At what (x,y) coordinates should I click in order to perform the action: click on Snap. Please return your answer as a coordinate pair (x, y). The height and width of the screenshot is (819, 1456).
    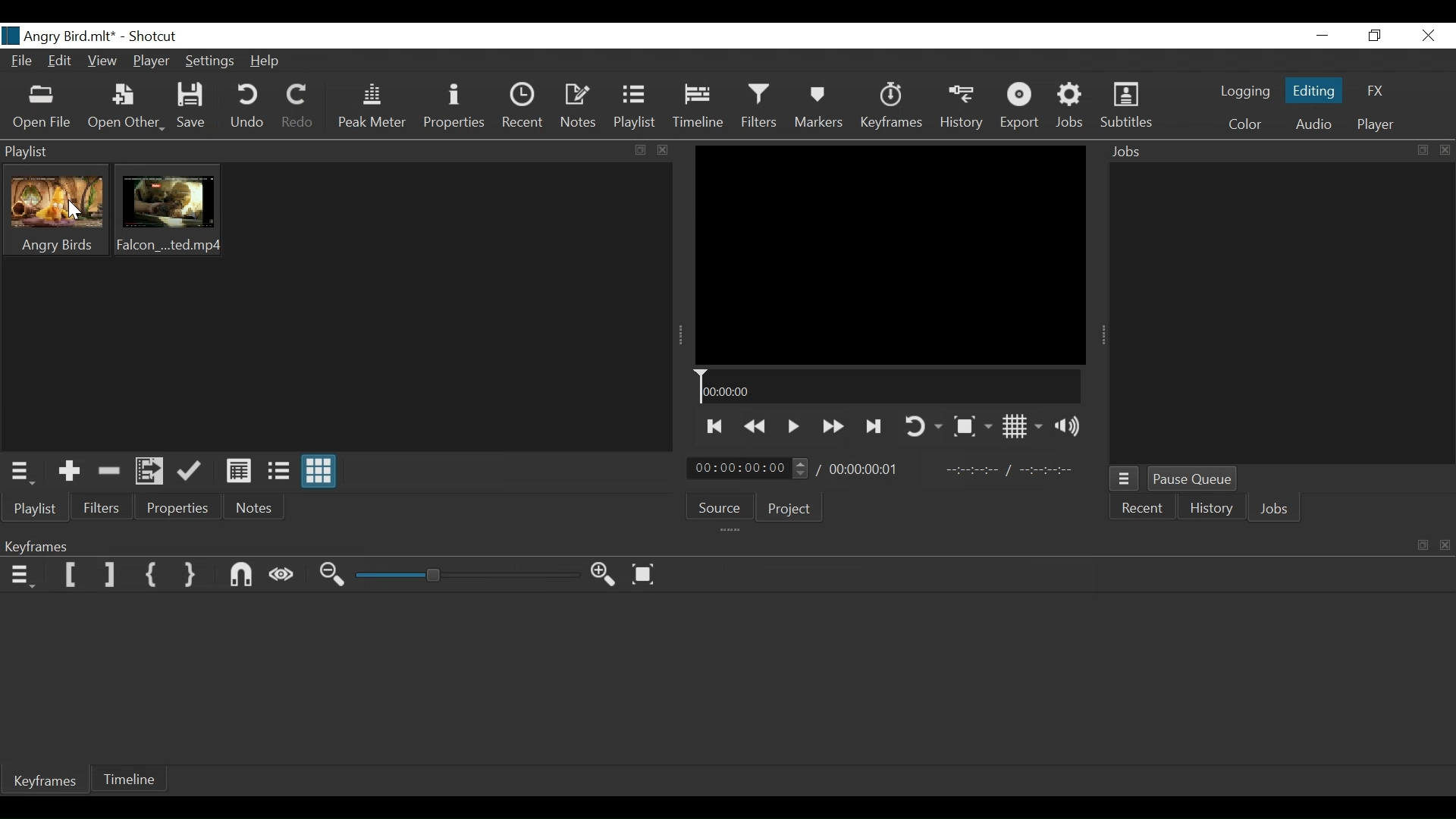
    Looking at the image, I should click on (242, 576).